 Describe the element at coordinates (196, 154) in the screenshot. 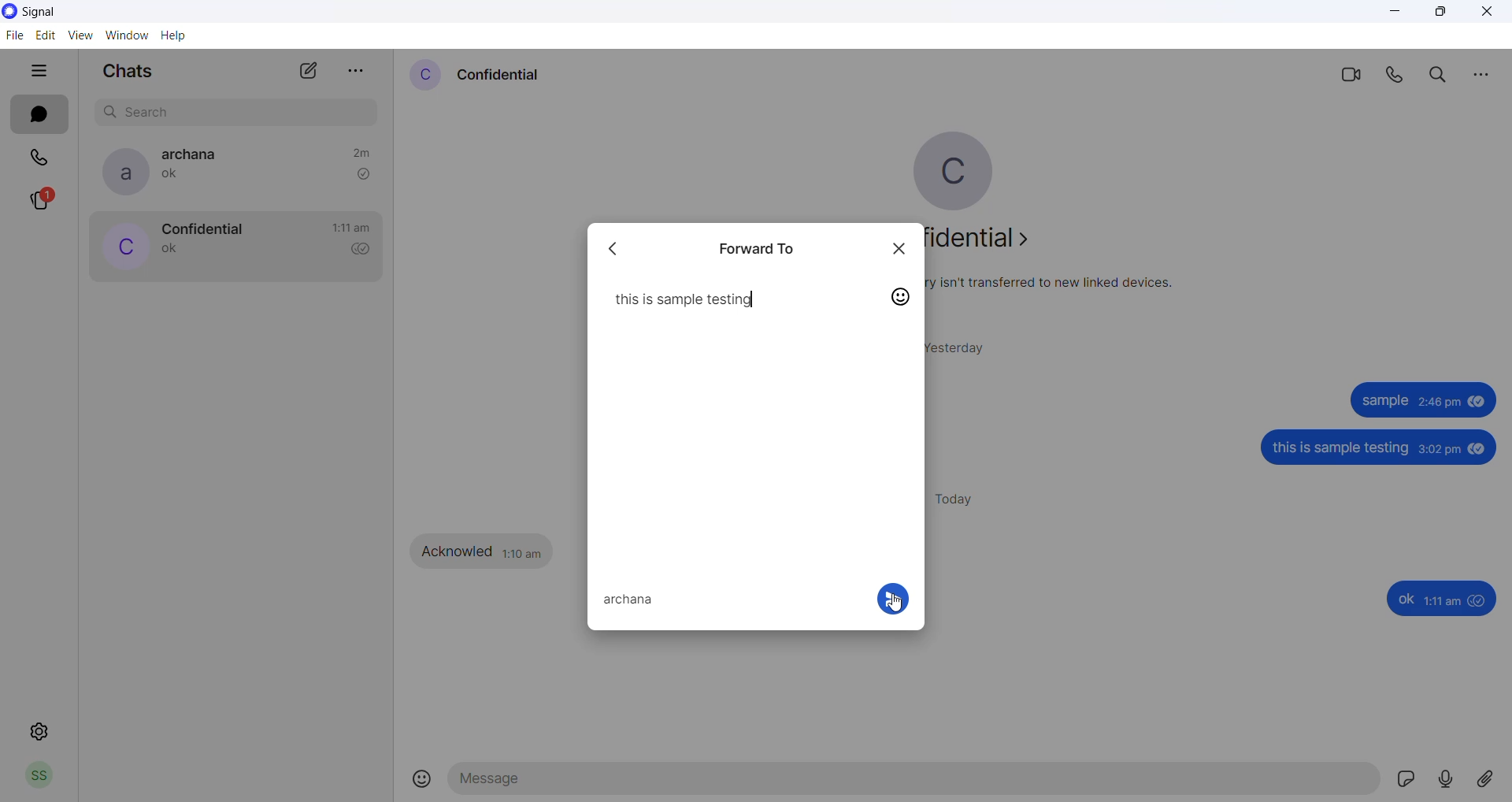

I see `contact name` at that location.